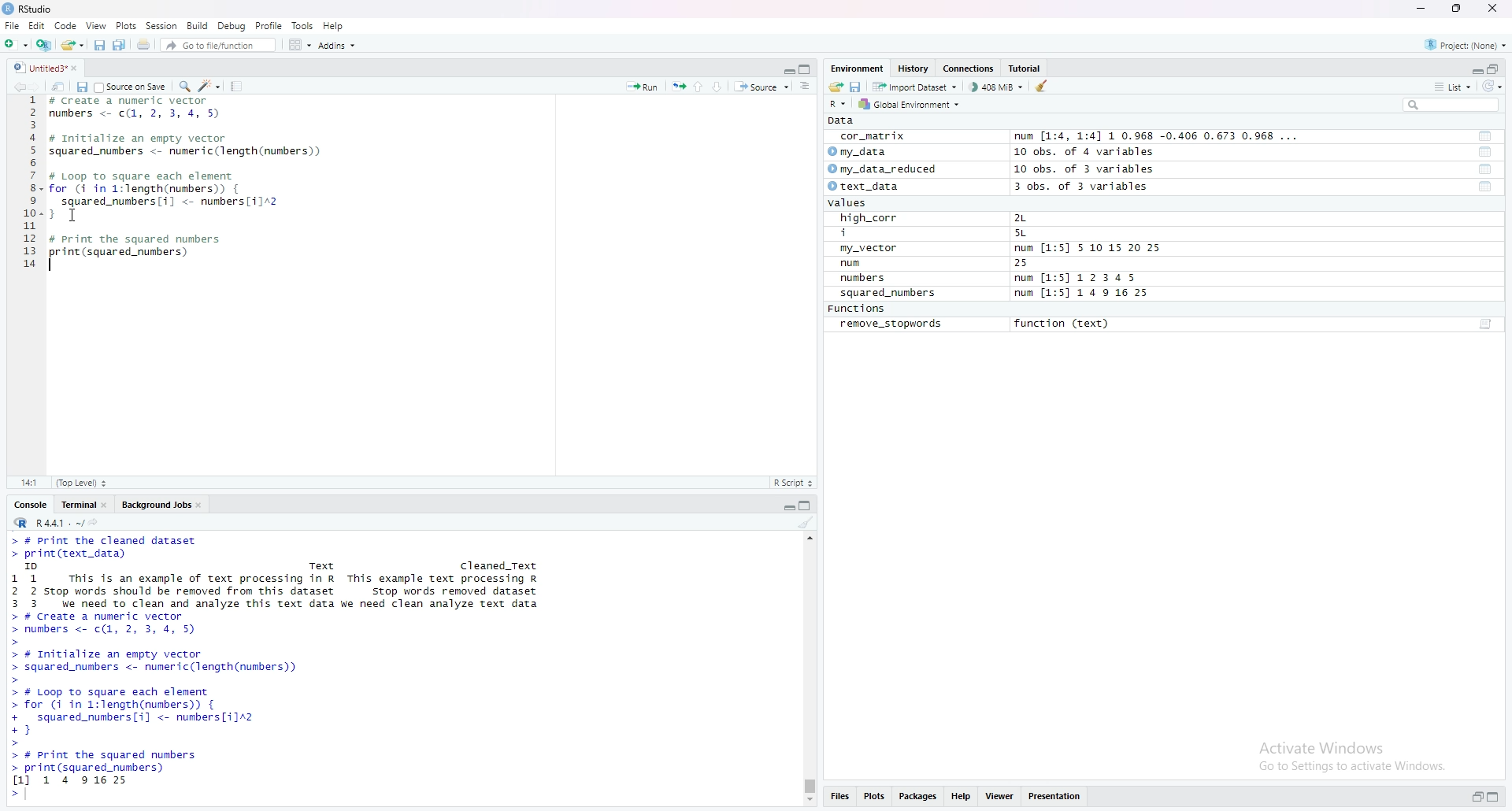  I want to click on verical scrollbar, so click(808, 786).